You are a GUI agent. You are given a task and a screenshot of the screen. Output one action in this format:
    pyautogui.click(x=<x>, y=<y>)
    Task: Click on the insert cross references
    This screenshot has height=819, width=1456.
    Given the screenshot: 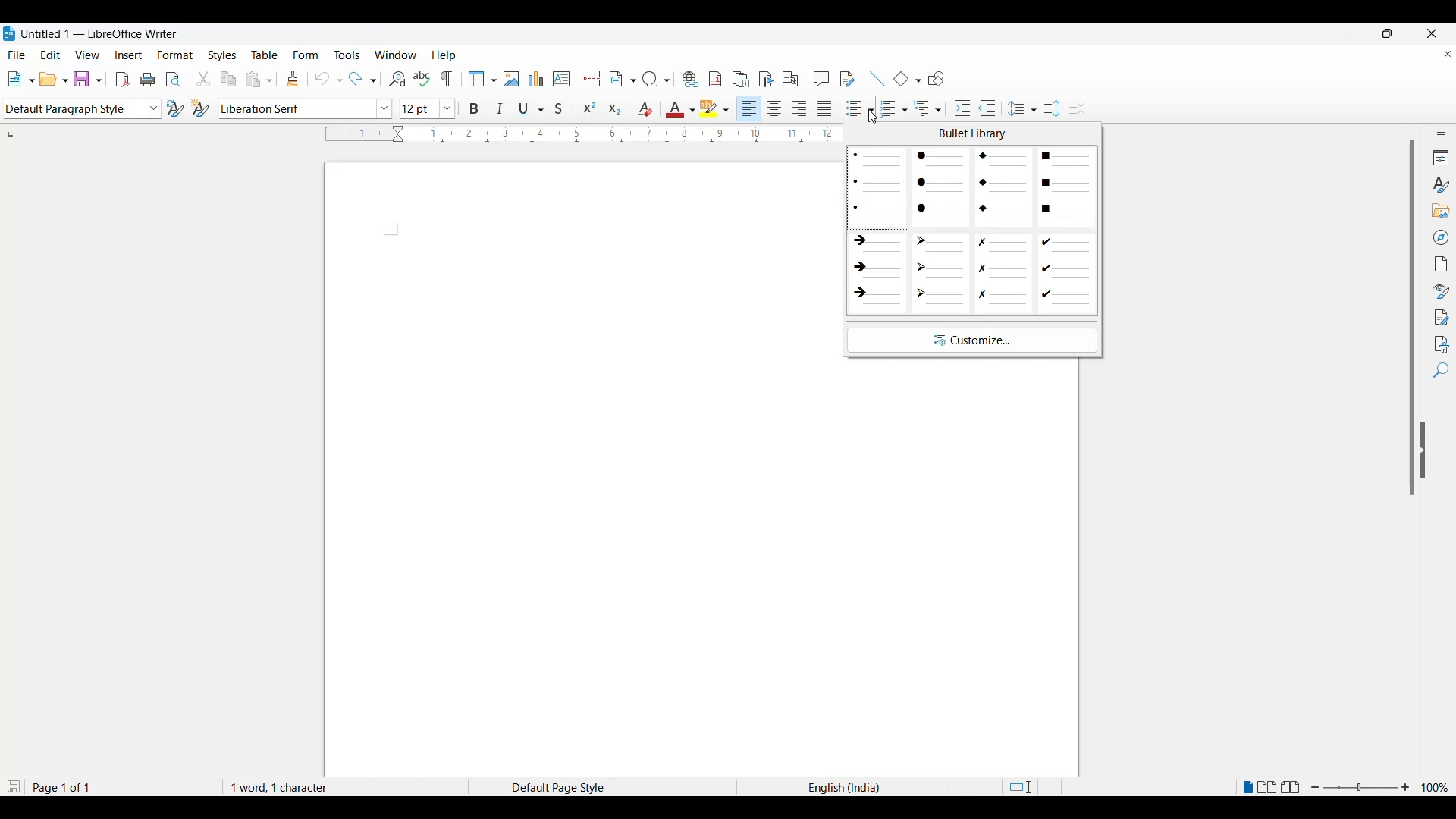 What is the action you would take?
    pyautogui.click(x=793, y=79)
    